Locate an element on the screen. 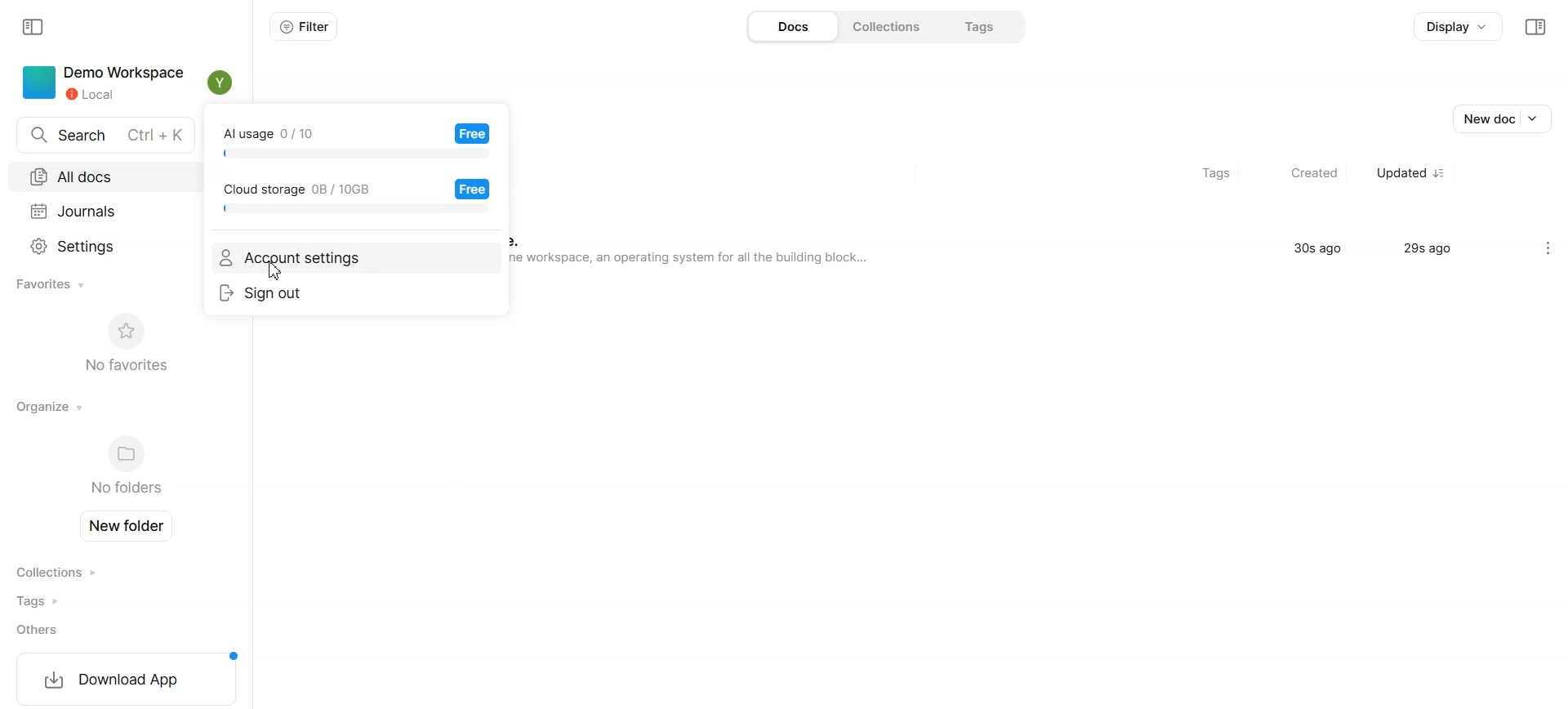 The height and width of the screenshot is (709, 1568). Collapse sidebar is located at coordinates (1535, 27).